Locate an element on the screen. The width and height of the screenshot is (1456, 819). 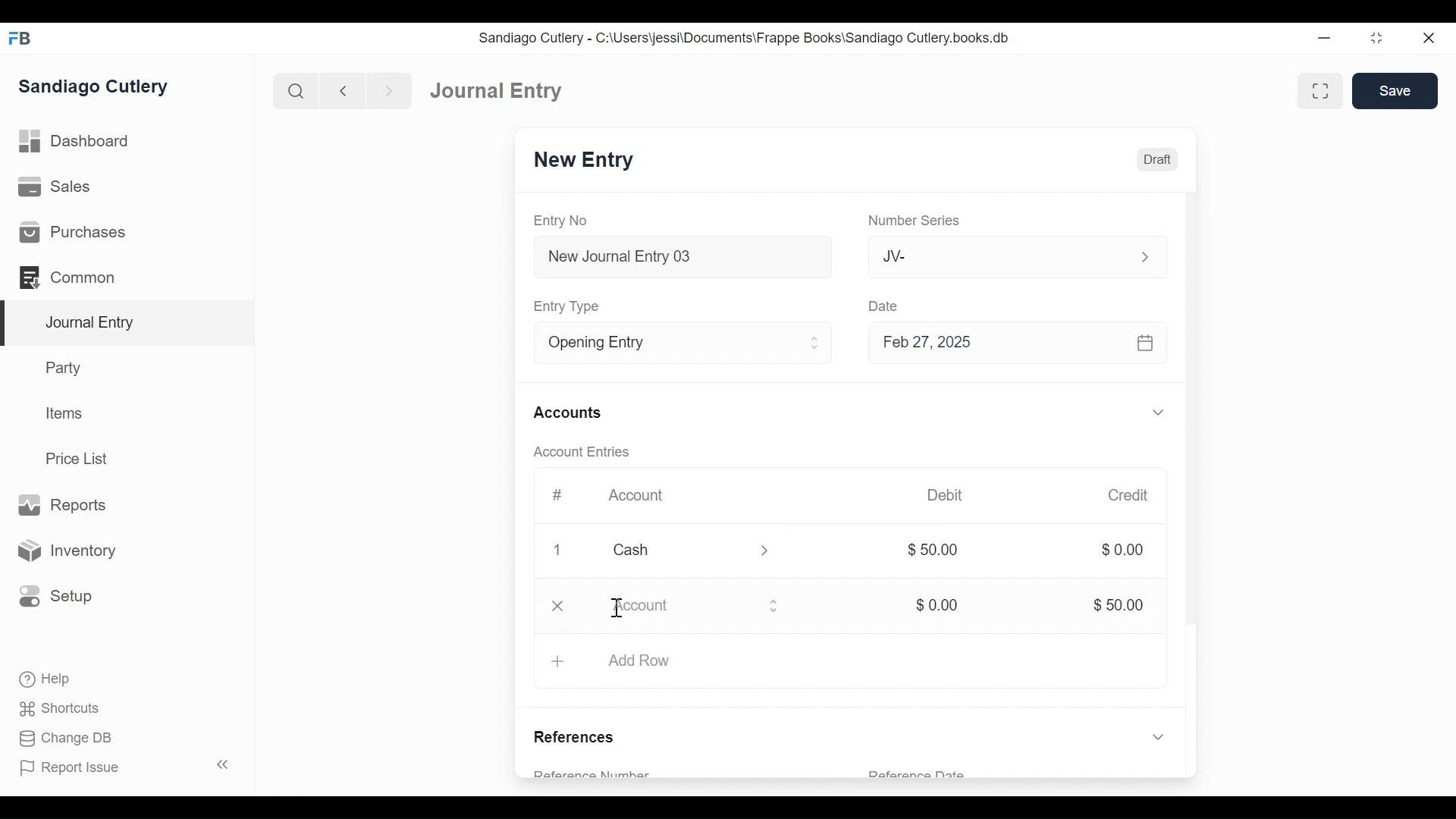
Sandiago Cutlery - C:\Users\jessi\Documents\Frappe Books\Sandiago Cutlery.books.db is located at coordinates (745, 37).